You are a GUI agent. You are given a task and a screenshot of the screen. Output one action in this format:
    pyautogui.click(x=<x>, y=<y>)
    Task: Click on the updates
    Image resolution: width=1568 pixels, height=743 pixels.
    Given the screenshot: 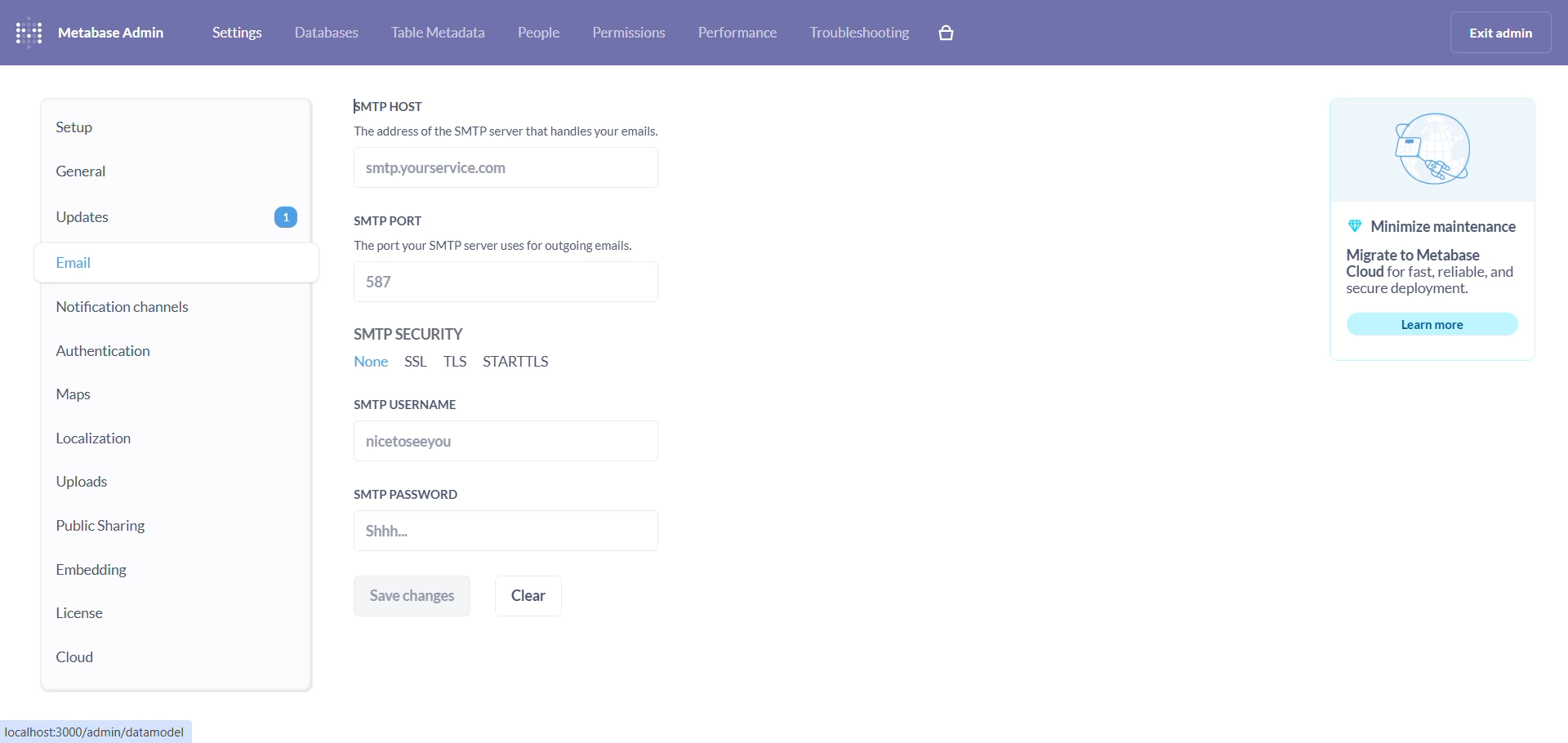 What is the action you would take?
    pyautogui.click(x=158, y=218)
    